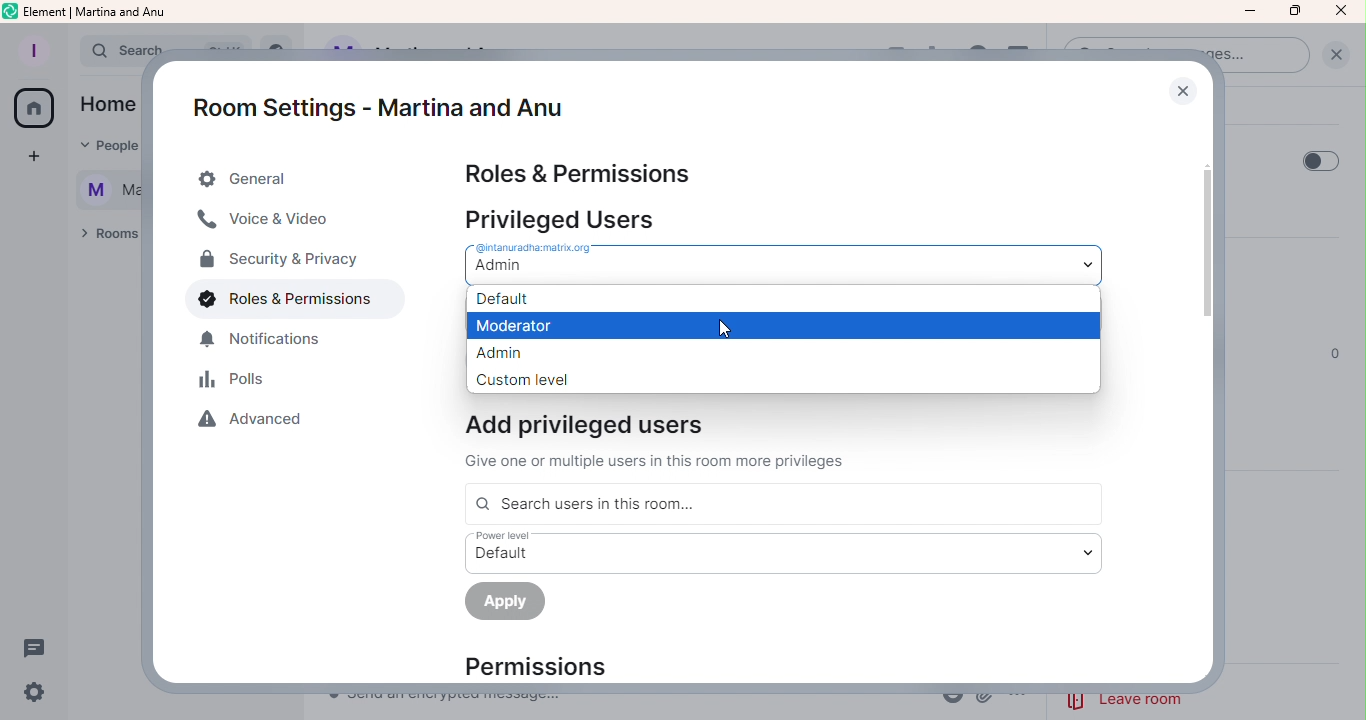 This screenshot has height=720, width=1366. Describe the element at coordinates (580, 173) in the screenshot. I see `Roles and permissions` at that location.